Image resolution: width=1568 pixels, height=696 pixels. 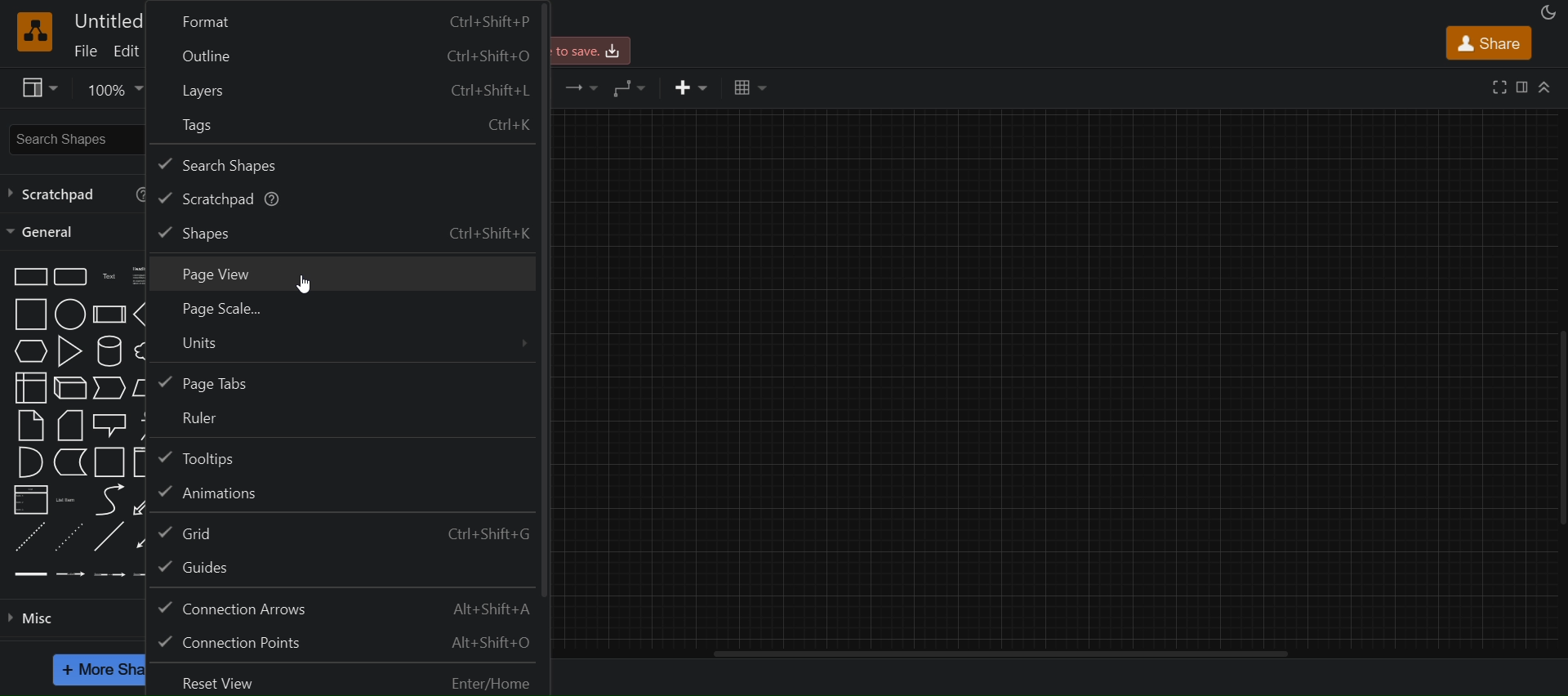 I want to click on page tabs, so click(x=344, y=382).